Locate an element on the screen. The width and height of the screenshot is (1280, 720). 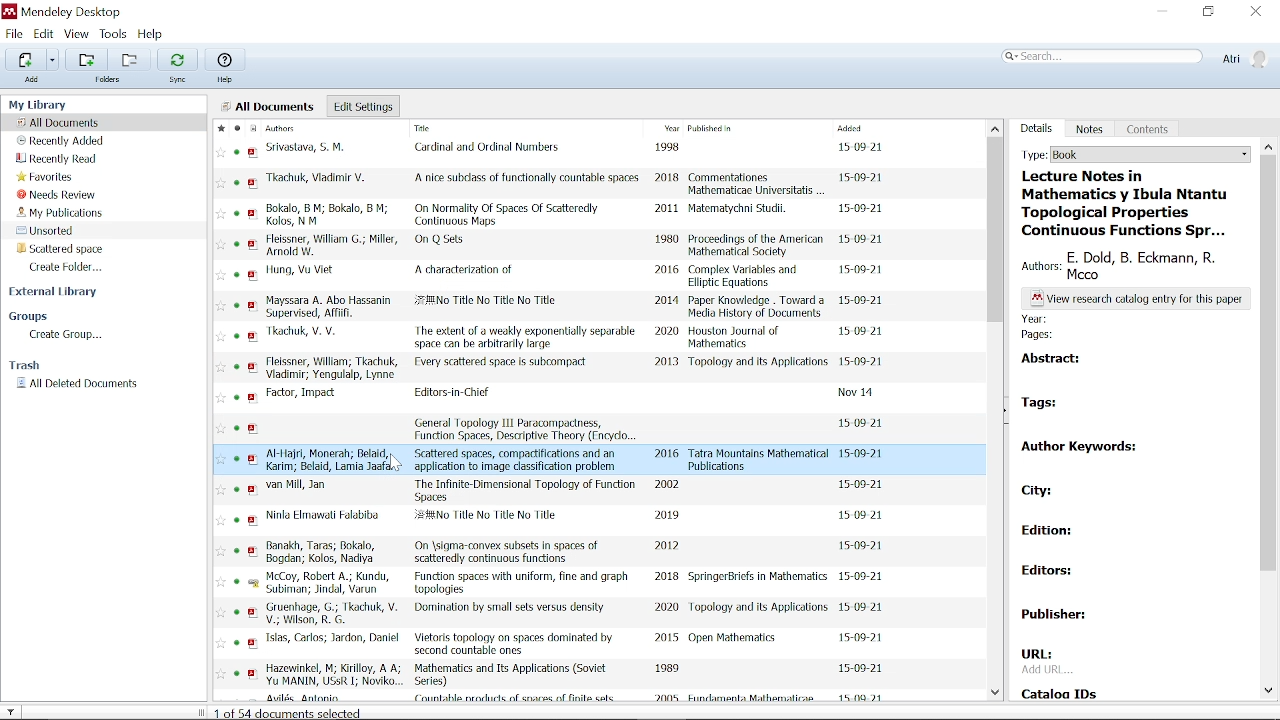
edition is located at coordinates (1058, 533).